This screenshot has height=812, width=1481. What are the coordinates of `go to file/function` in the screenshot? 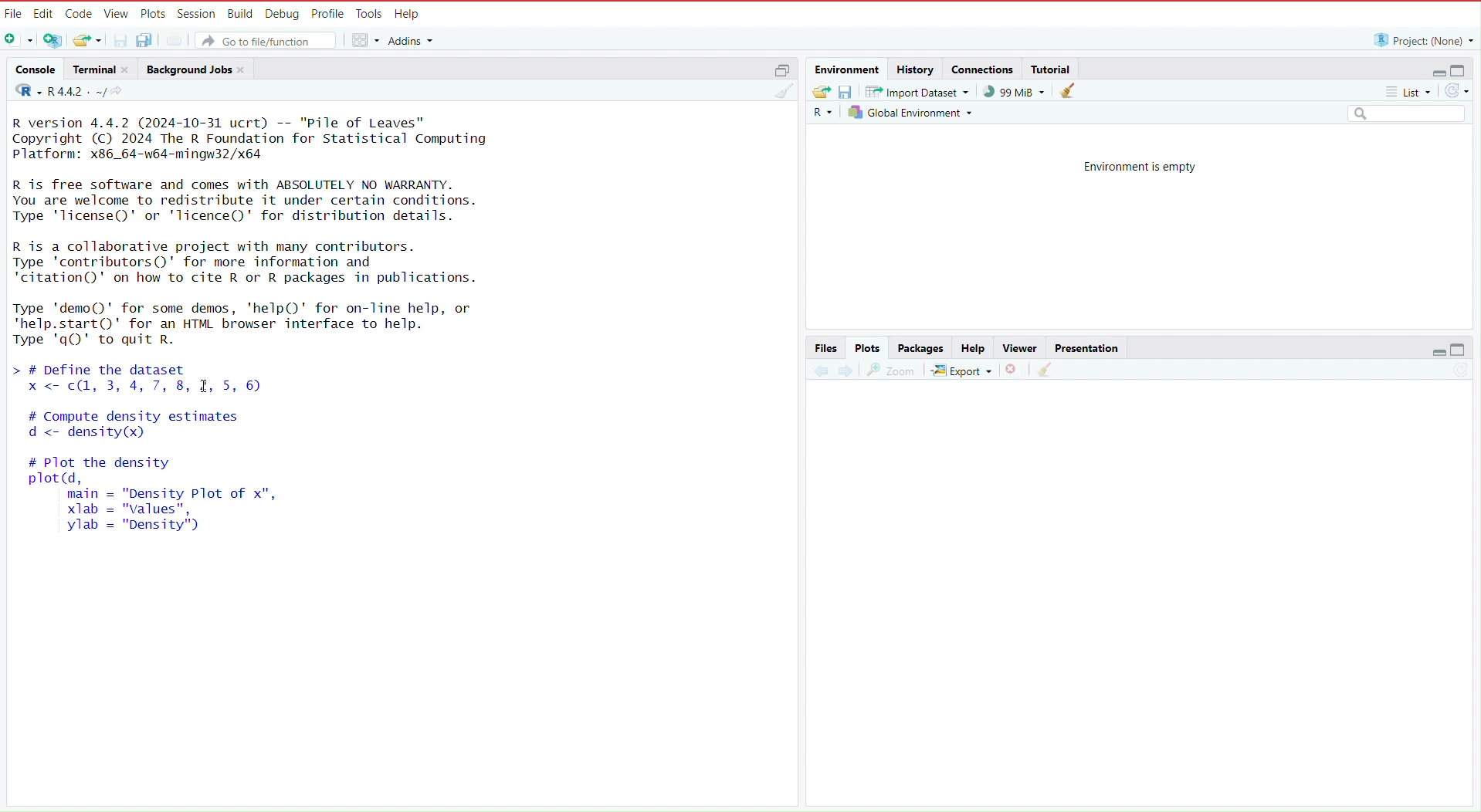 It's located at (268, 40).